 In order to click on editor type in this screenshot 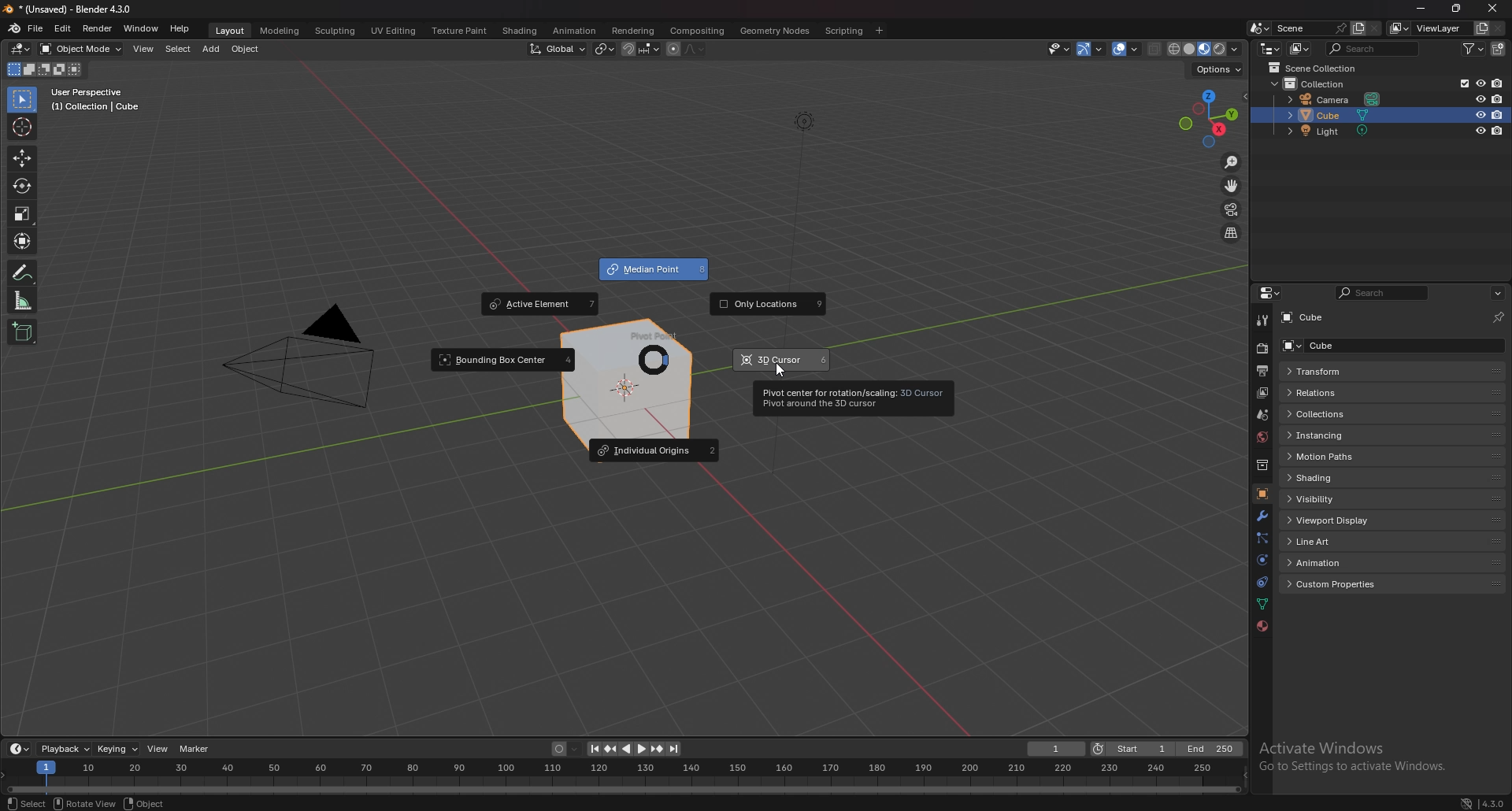, I will do `click(20, 49)`.